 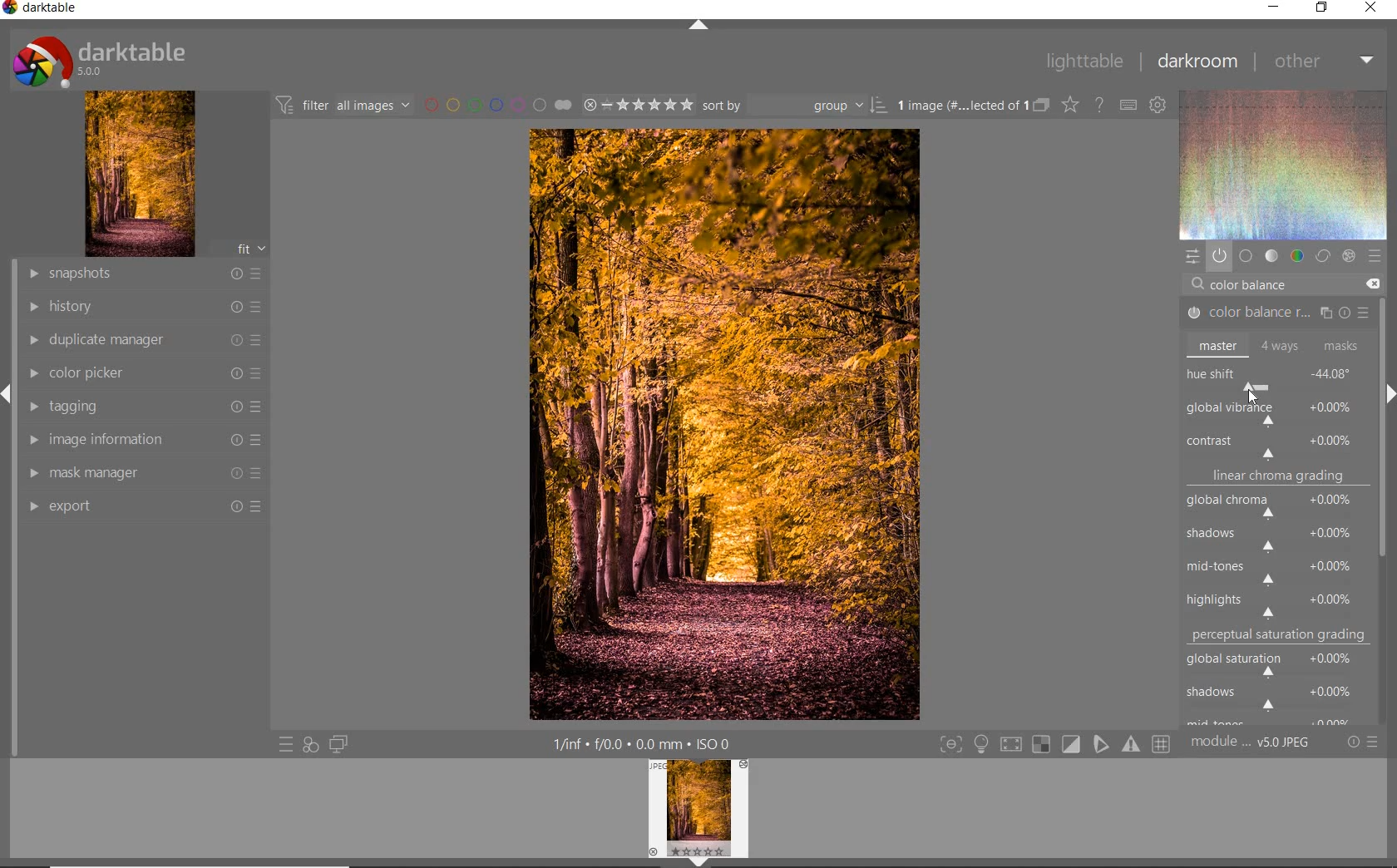 I want to click on expand/collapse, so click(x=696, y=25).